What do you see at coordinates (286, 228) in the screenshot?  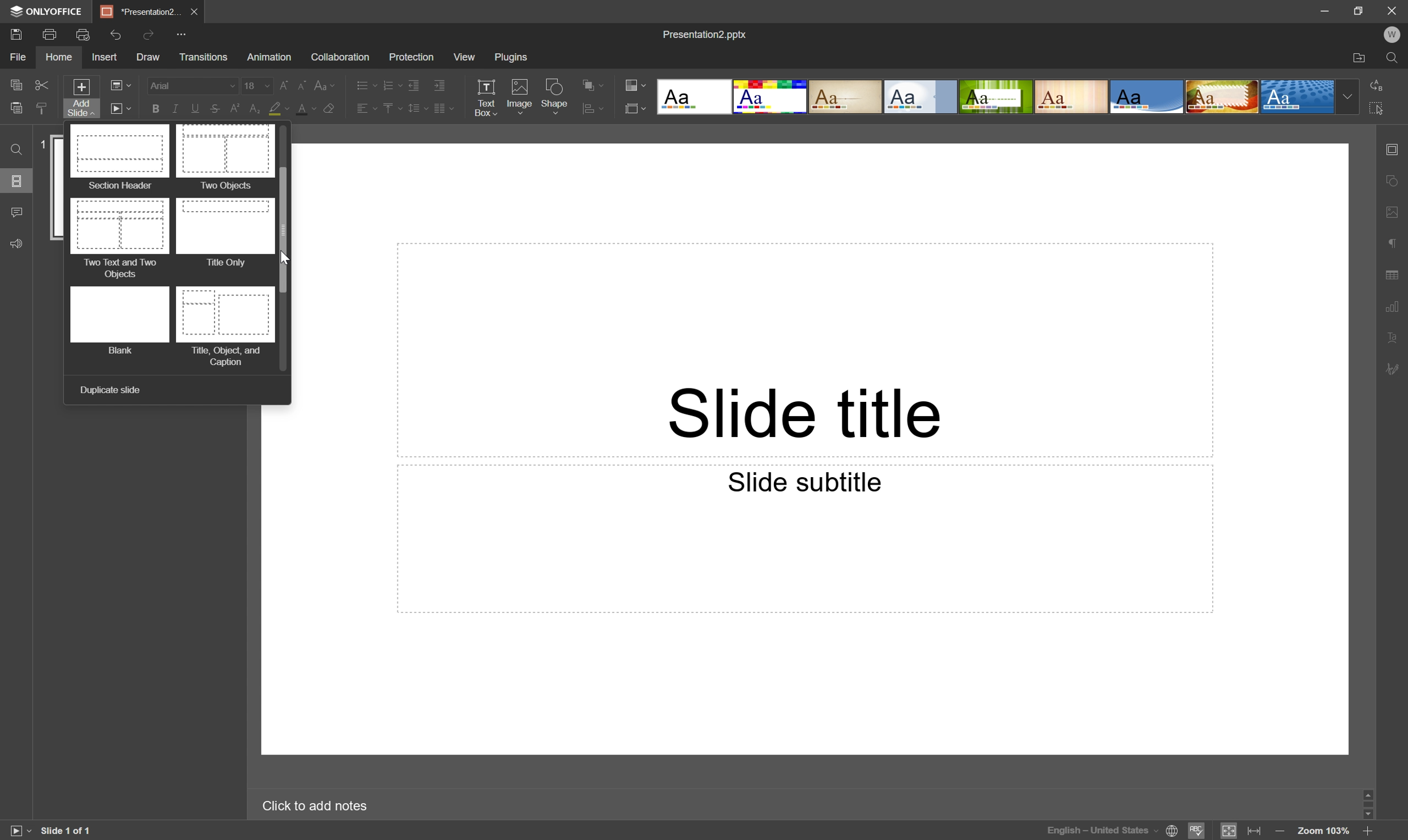 I see `Scroll Bar` at bounding box center [286, 228].